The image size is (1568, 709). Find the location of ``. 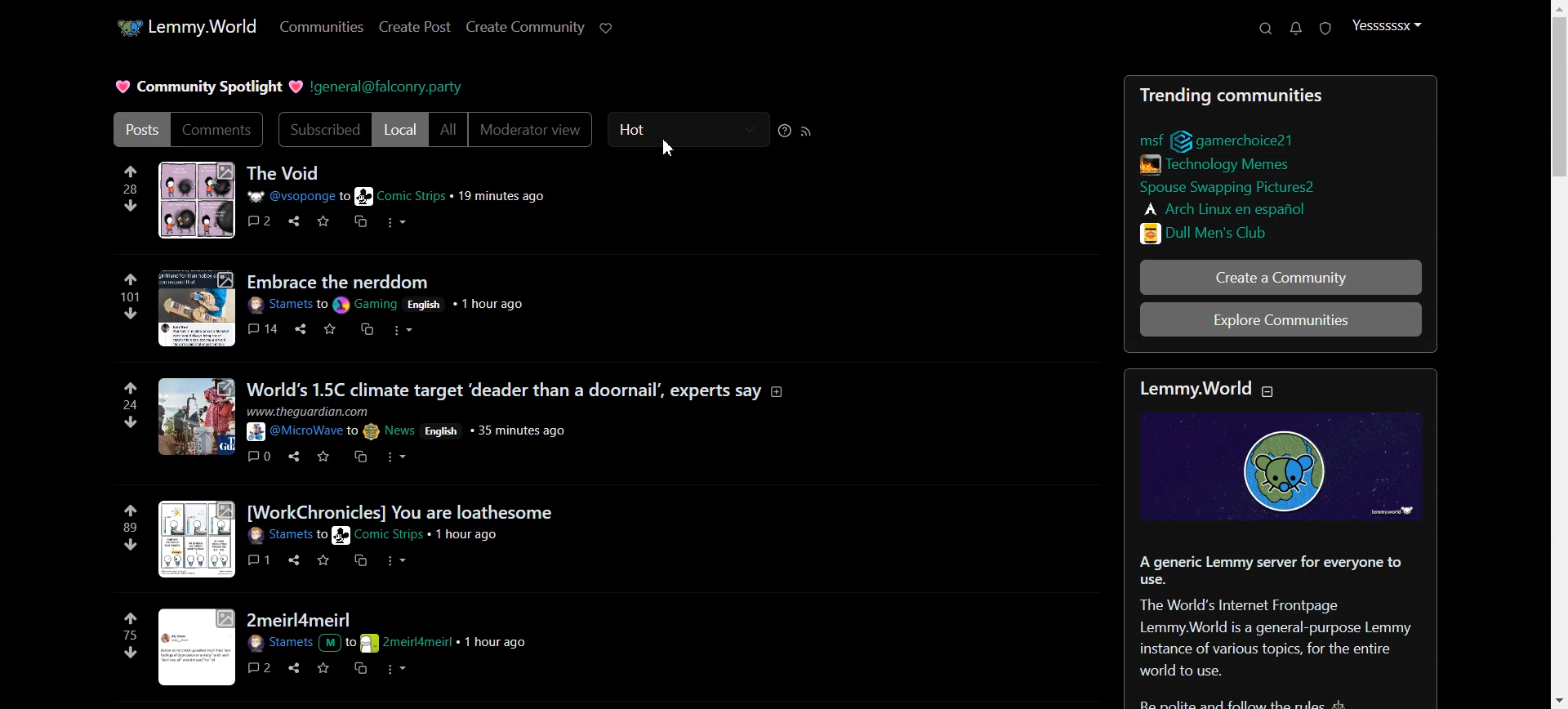

 is located at coordinates (293, 220).